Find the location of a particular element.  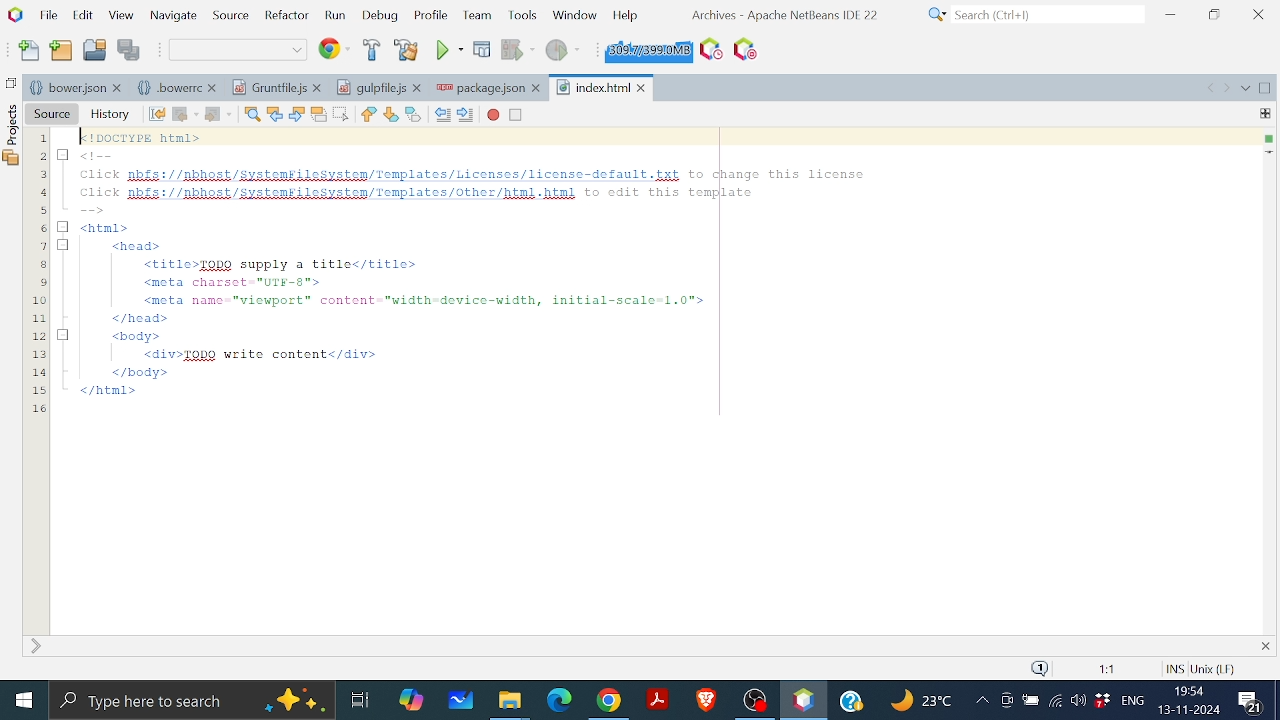

Shift line right is located at coordinates (466, 115).